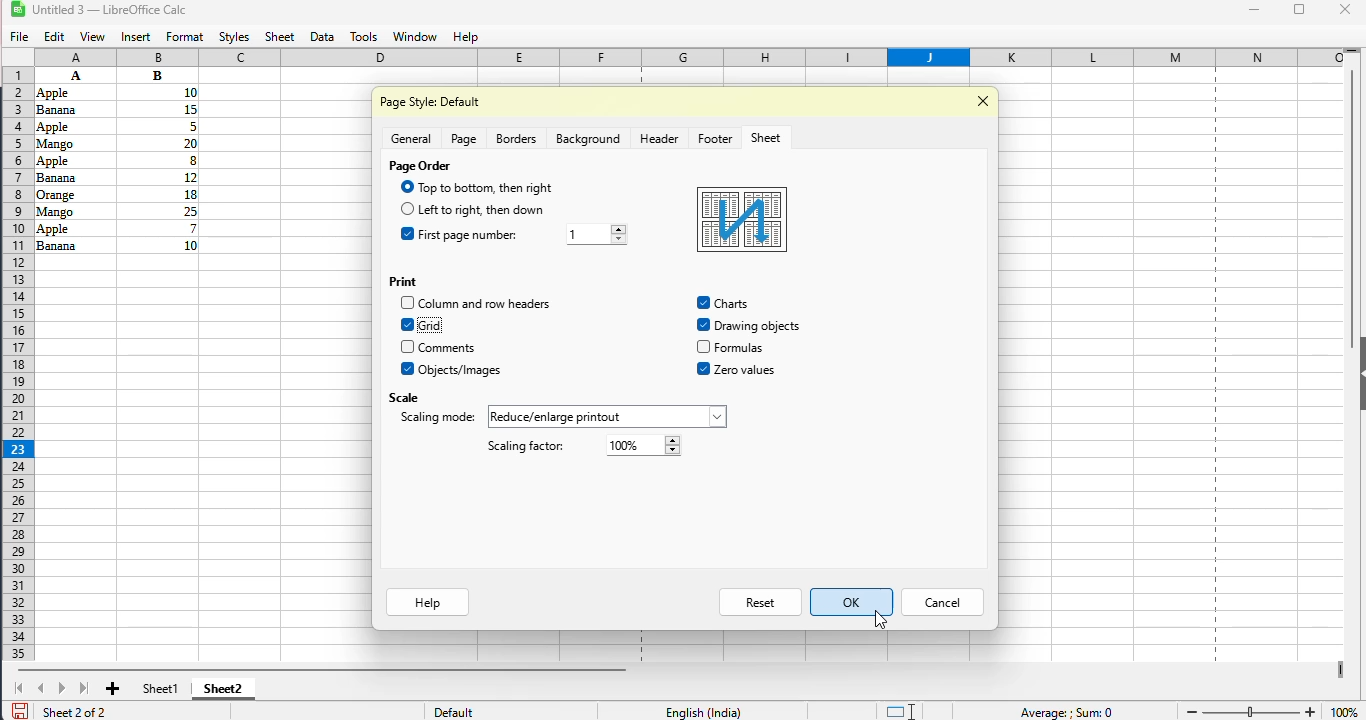 This screenshot has width=1366, height=720. Describe the element at coordinates (437, 418) in the screenshot. I see `scaling mode: reduce/enlarge/printout` at that location.